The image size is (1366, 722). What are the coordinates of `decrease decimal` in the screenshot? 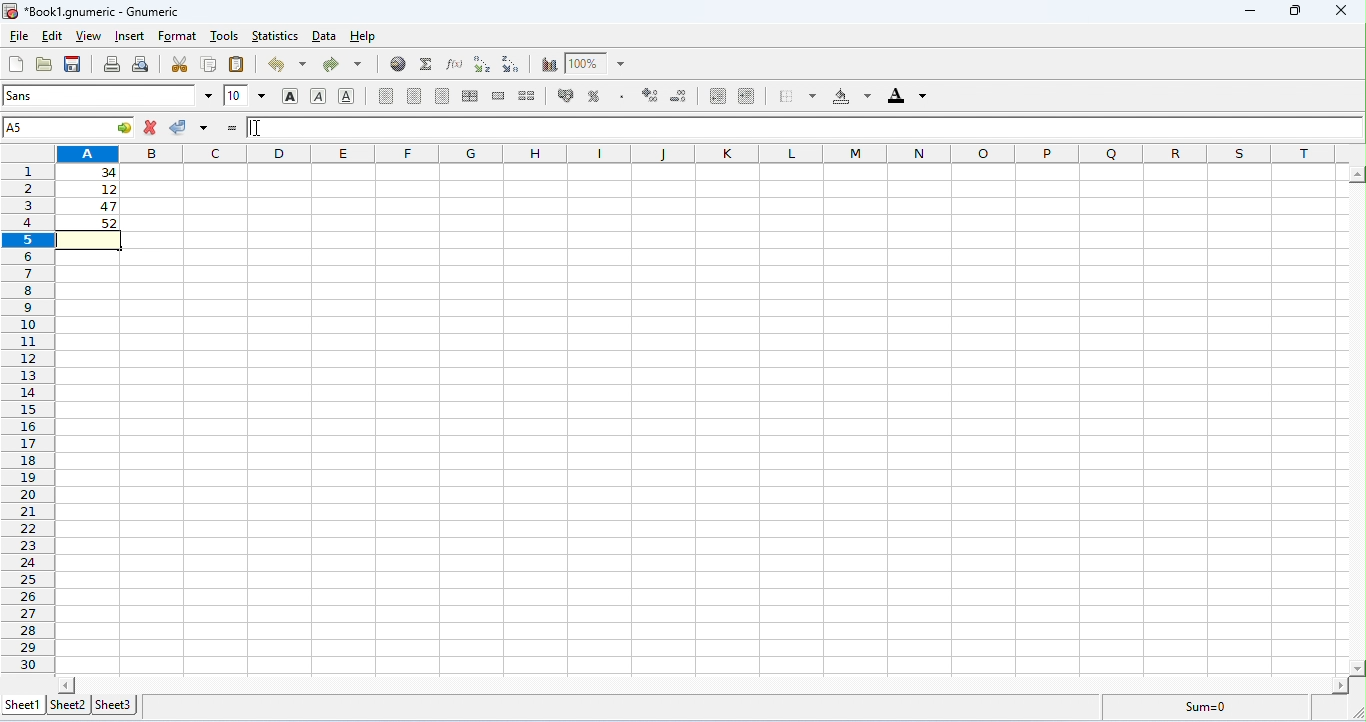 It's located at (650, 95).